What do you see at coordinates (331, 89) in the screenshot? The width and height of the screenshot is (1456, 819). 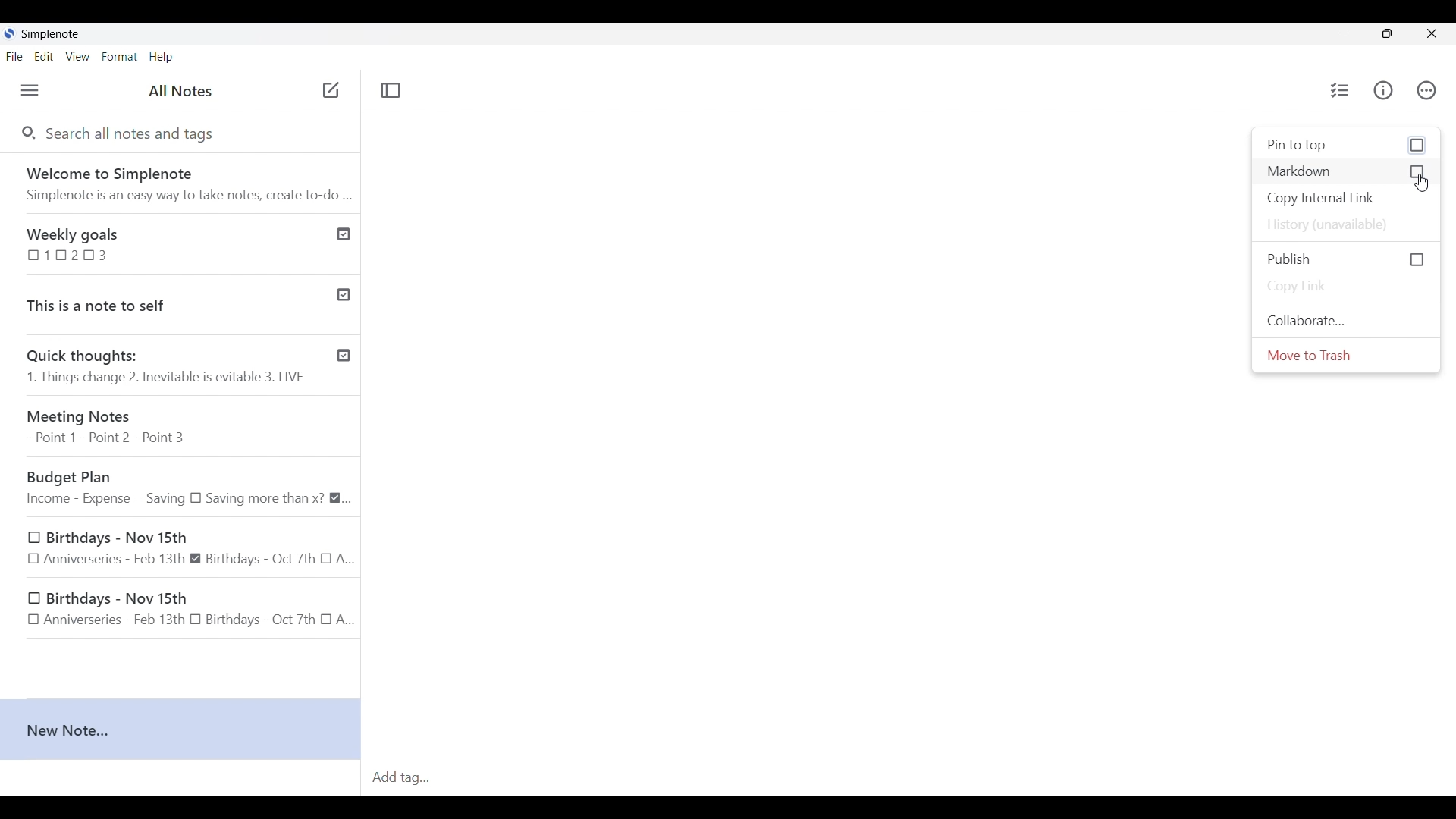 I see `Add new note` at bounding box center [331, 89].